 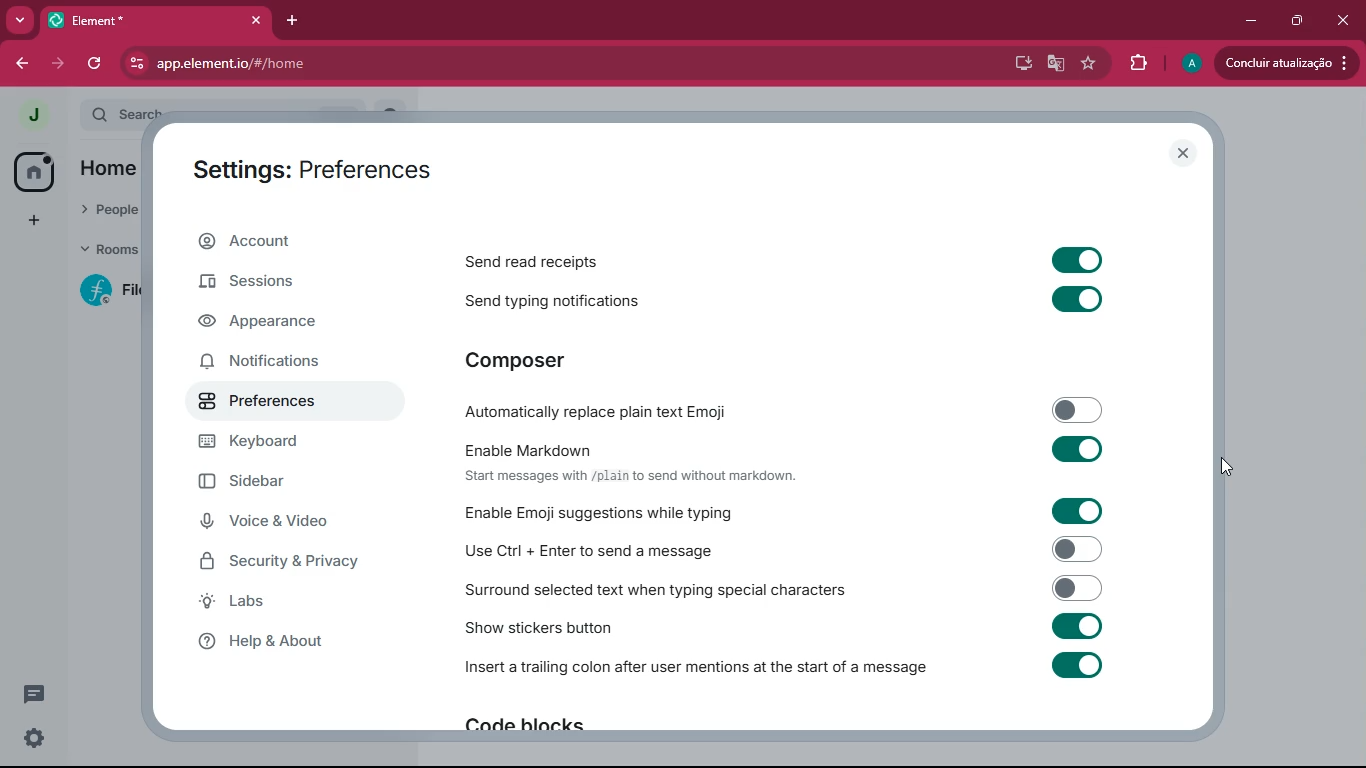 What do you see at coordinates (794, 301) in the screenshot?
I see `Send typing notifications` at bounding box center [794, 301].